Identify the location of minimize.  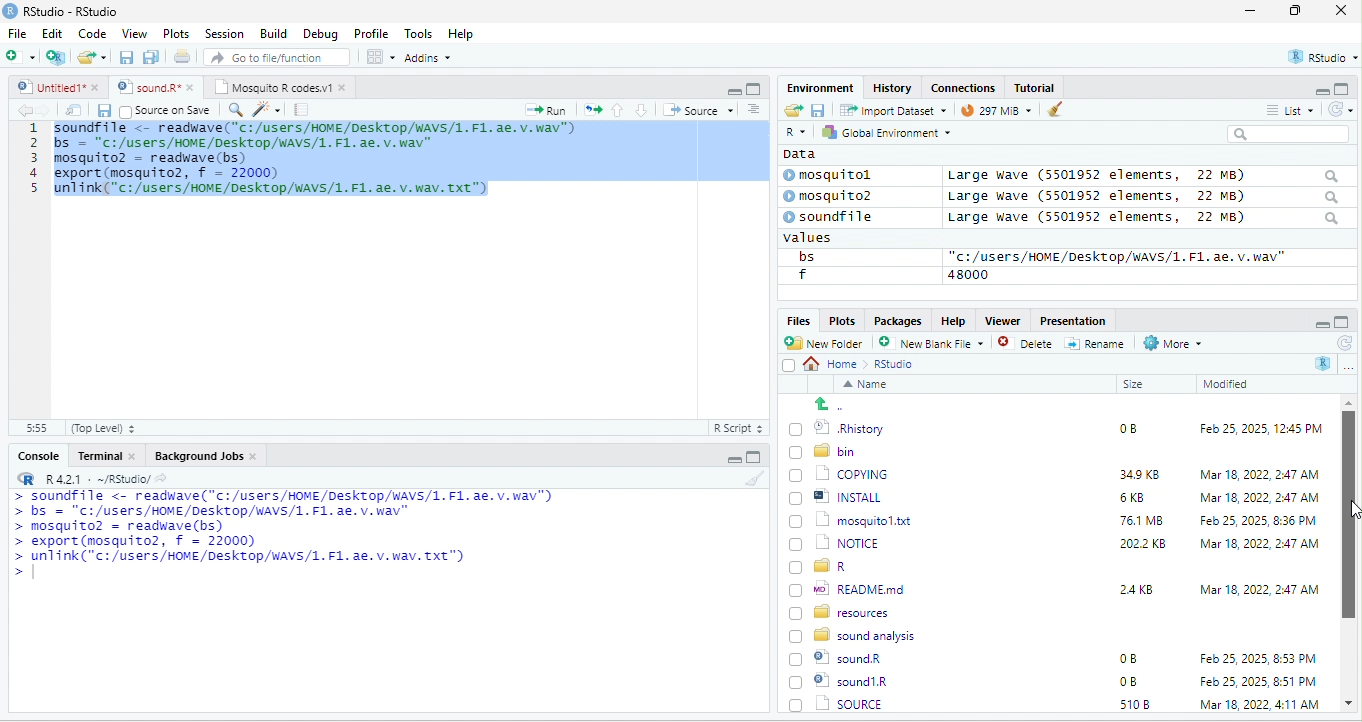
(1250, 12).